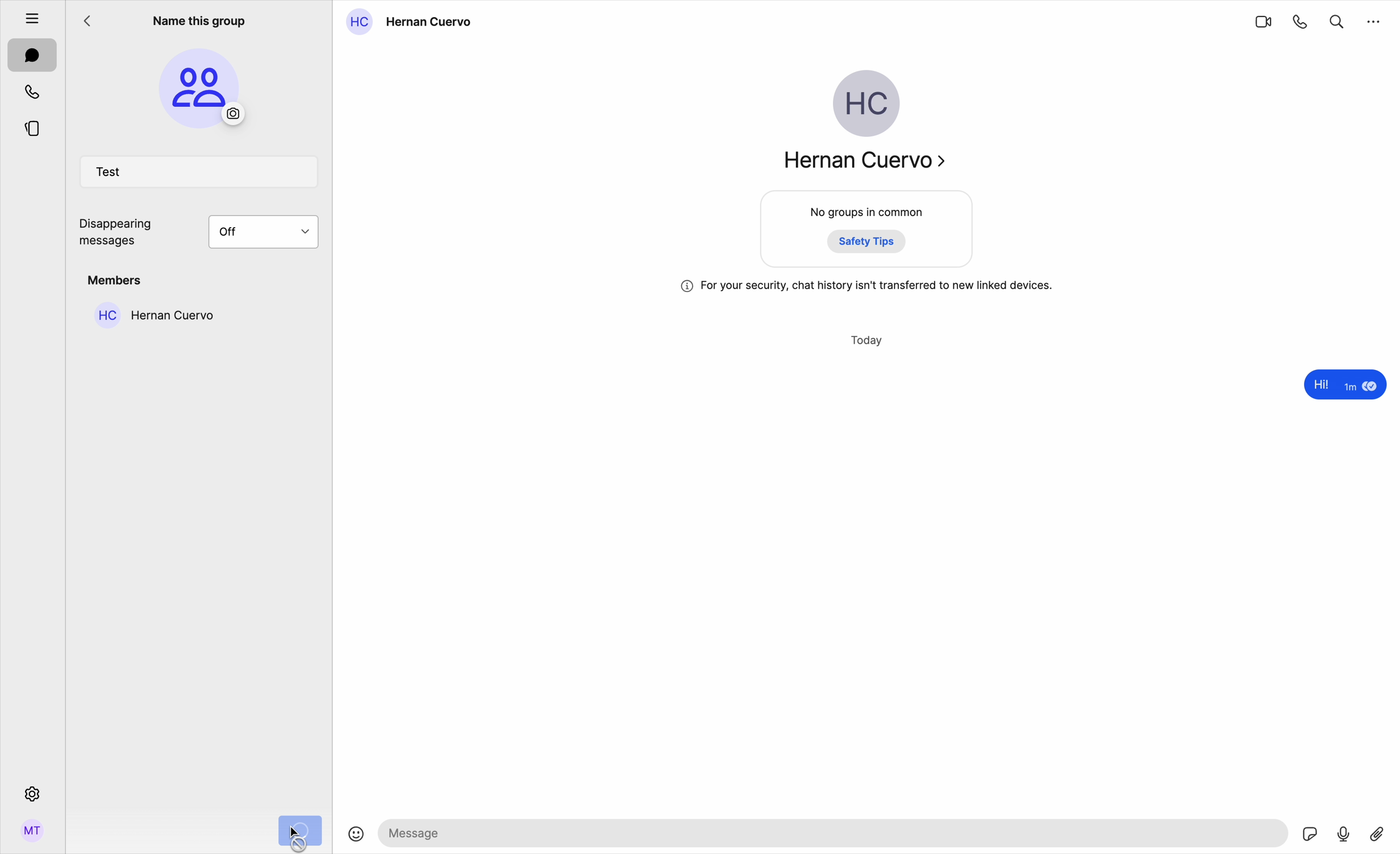 The image size is (1400, 854). What do you see at coordinates (868, 231) in the screenshot?
I see `no groups in common` at bounding box center [868, 231].